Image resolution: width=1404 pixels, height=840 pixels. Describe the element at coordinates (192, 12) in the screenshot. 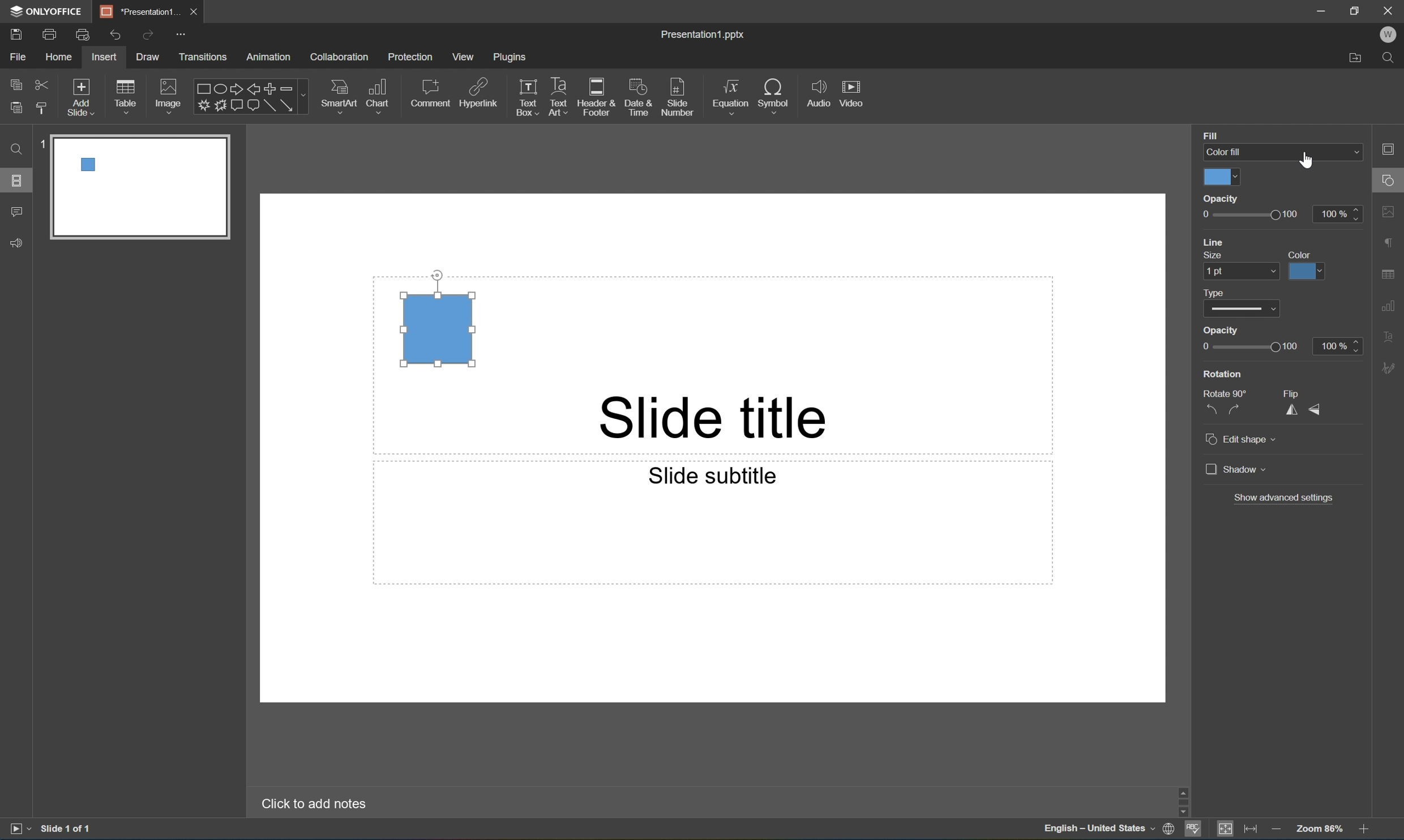

I see `Close` at that location.